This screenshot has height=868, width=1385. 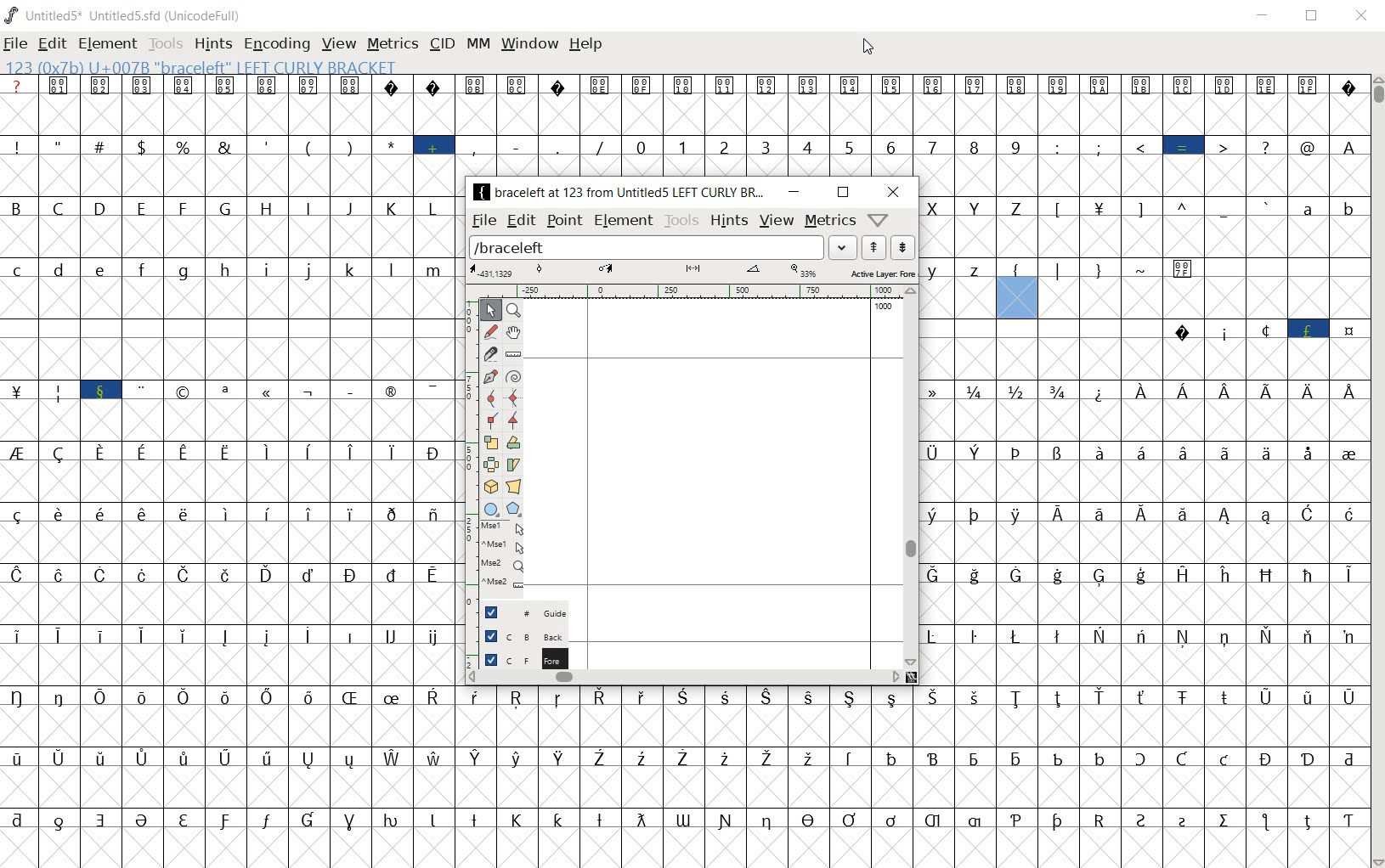 What do you see at coordinates (1377, 471) in the screenshot?
I see `scrollbar` at bounding box center [1377, 471].